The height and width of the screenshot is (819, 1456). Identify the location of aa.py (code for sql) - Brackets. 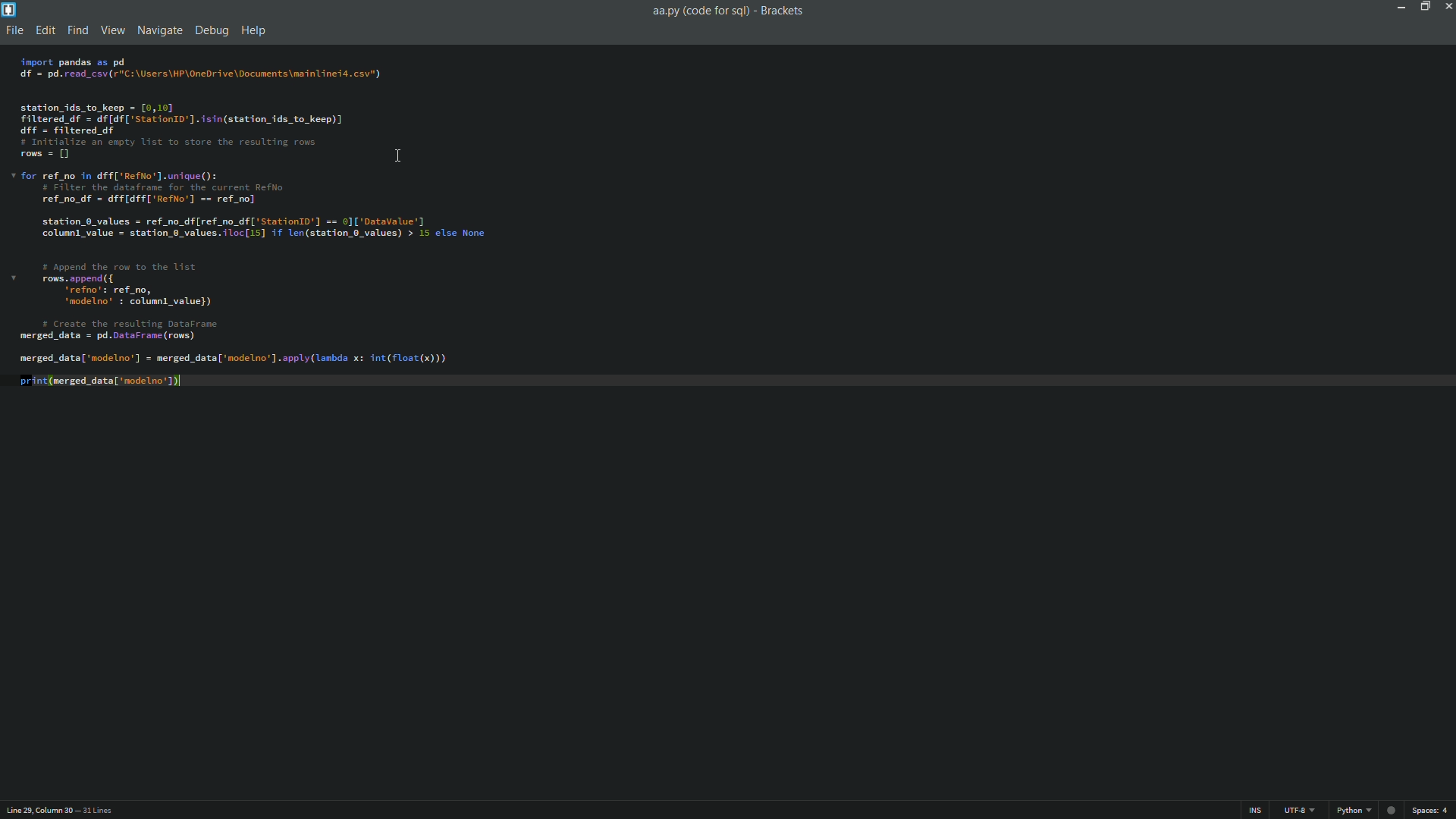
(730, 12).